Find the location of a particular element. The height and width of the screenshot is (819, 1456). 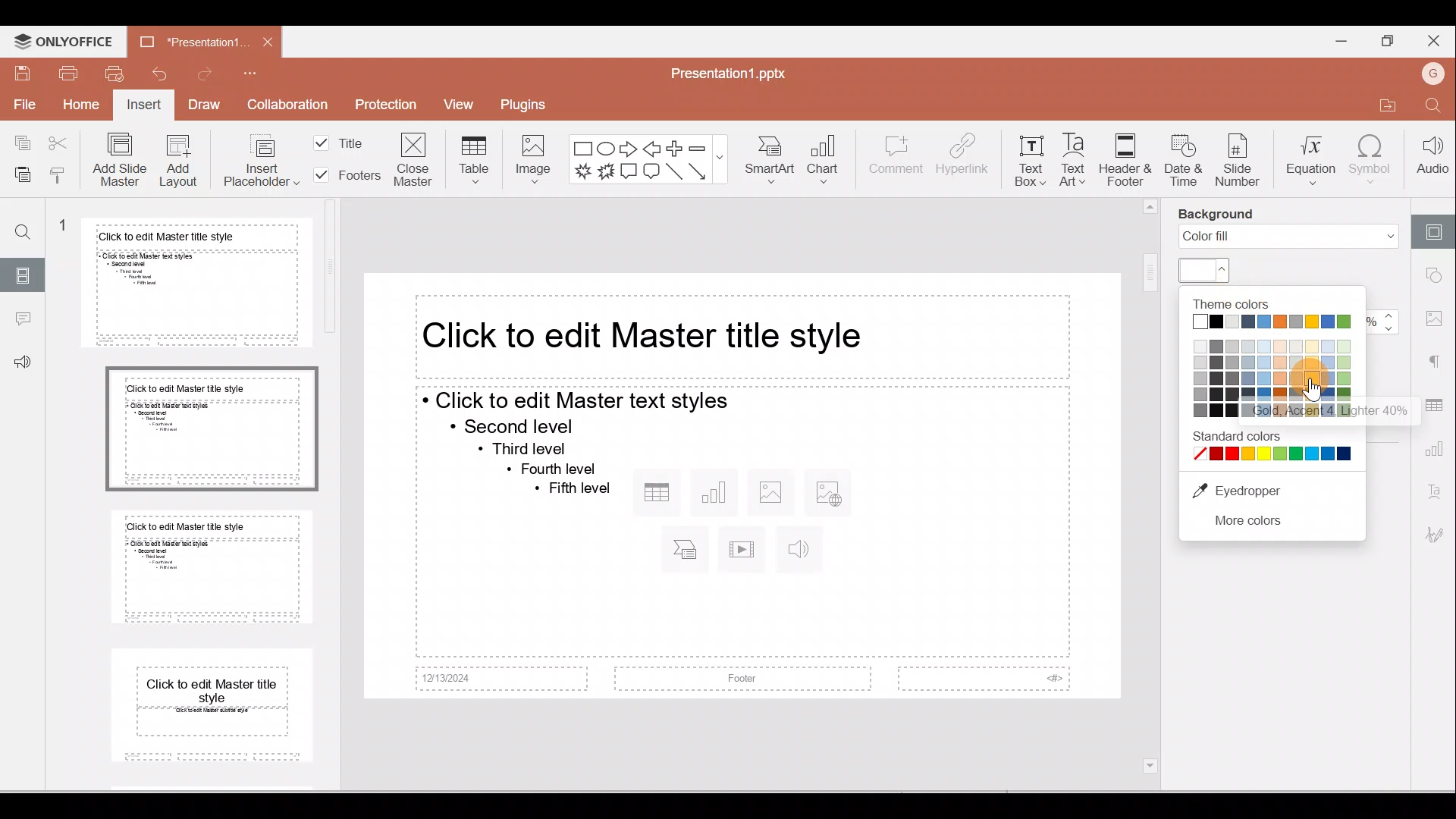

Rectangular callout is located at coordinates (629, 174).